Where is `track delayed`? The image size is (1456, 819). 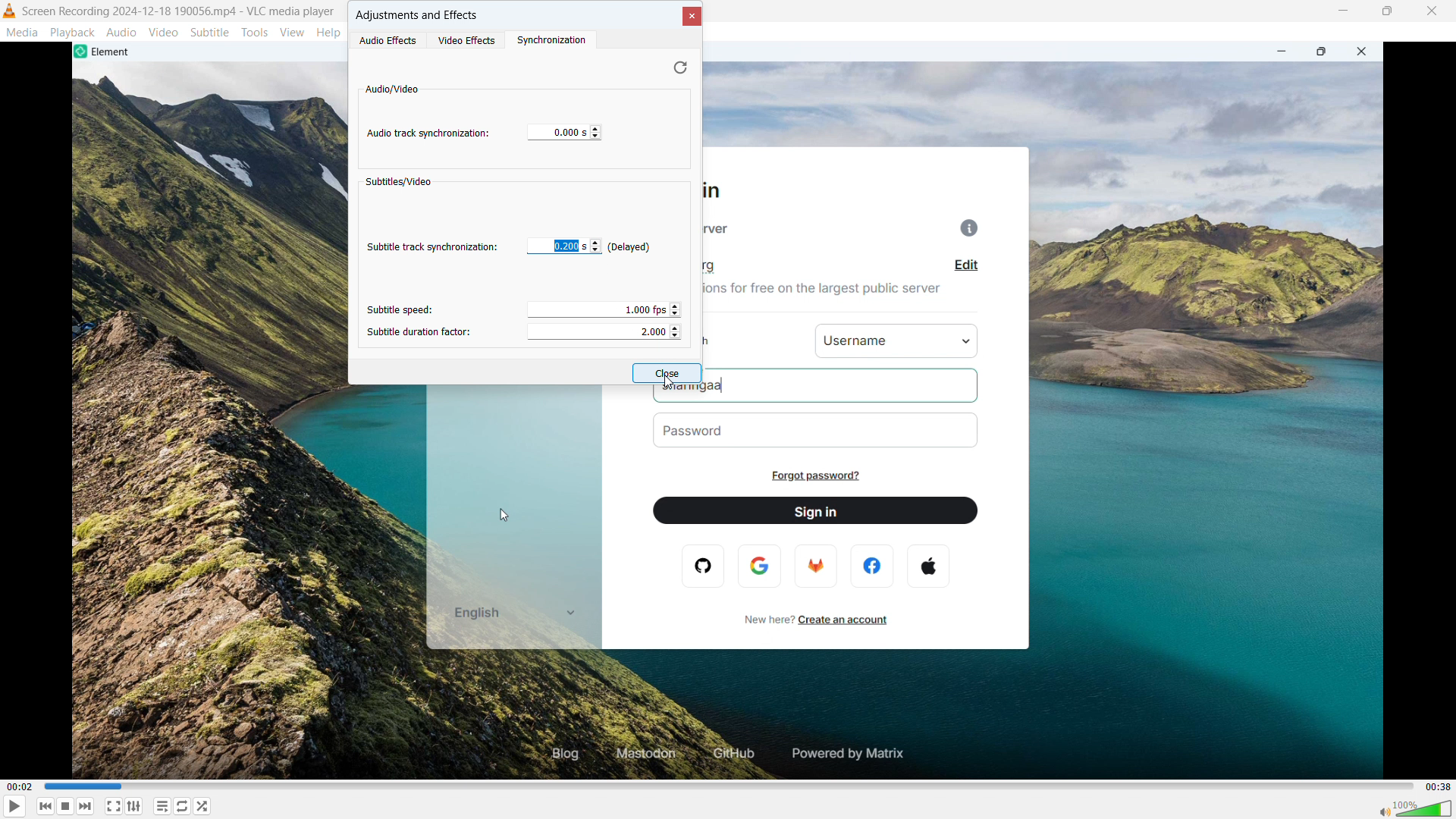
track delayed is located at coordinates (630, 247).